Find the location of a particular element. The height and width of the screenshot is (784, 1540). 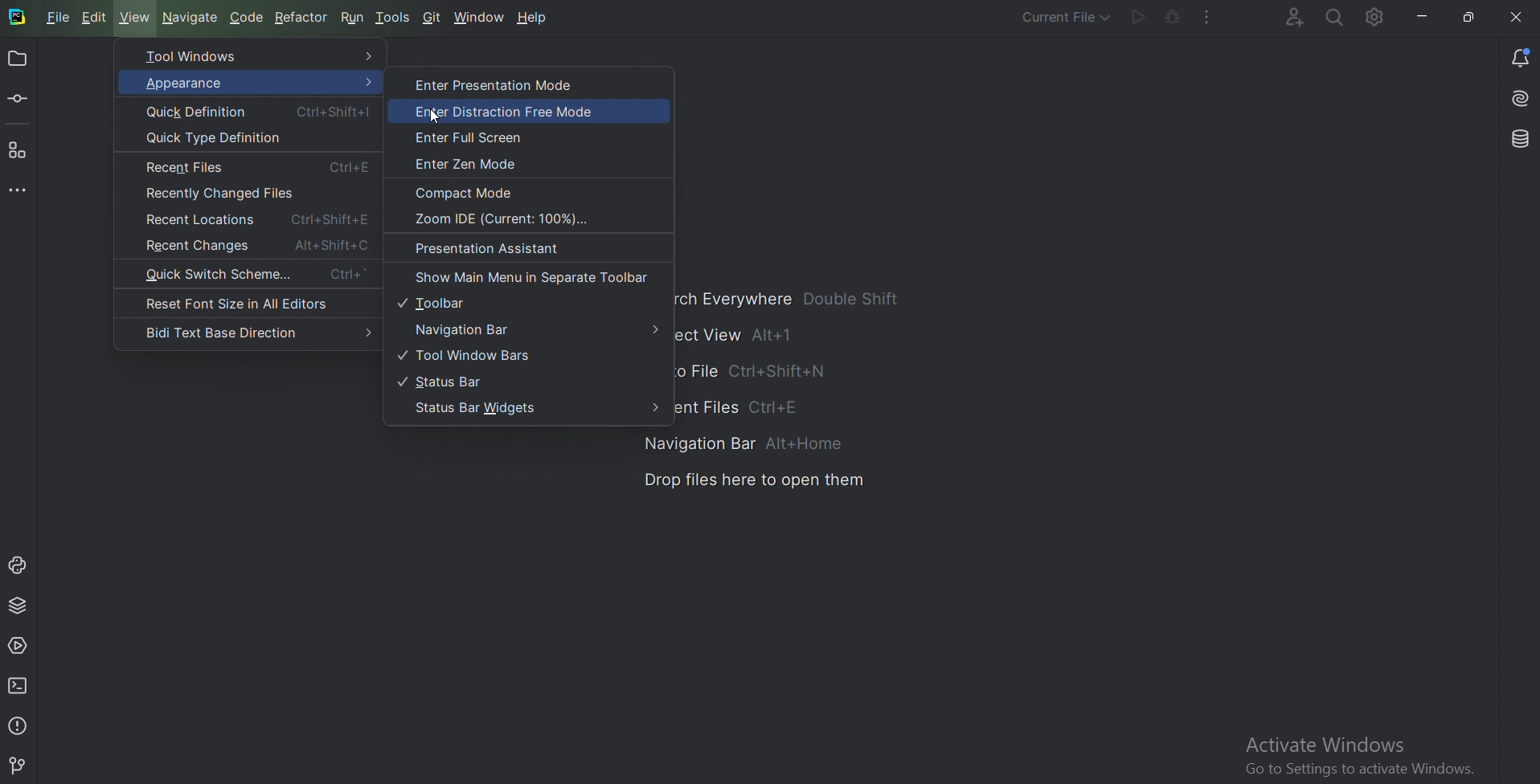

Enter presentation mode is located at coordinates (501, 86).